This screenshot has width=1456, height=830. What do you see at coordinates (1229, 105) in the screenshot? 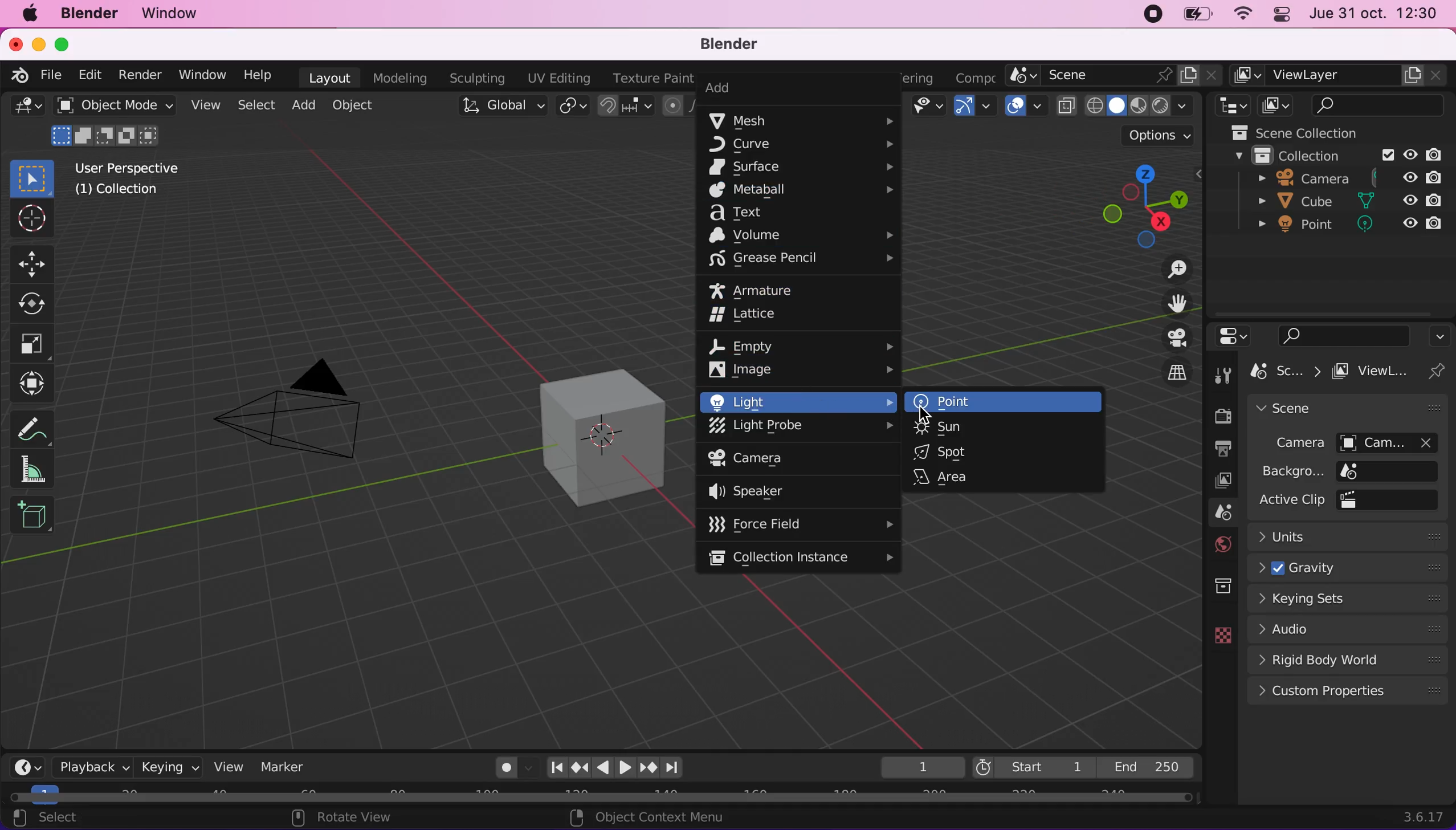
I see `editor type` at bounding box center [1229, 105].